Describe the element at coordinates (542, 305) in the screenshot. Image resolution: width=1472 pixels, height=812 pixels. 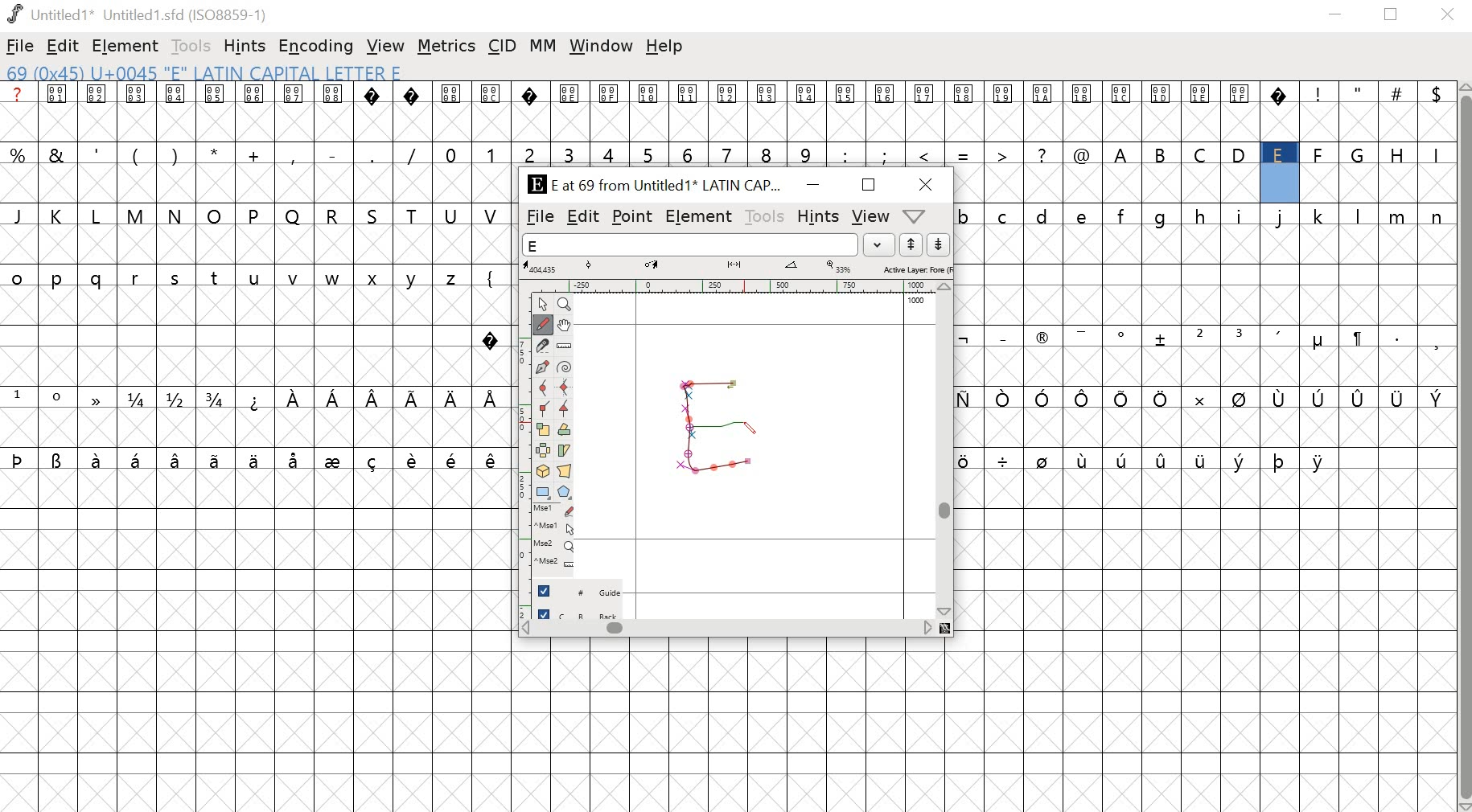
I see `Point` at that location.